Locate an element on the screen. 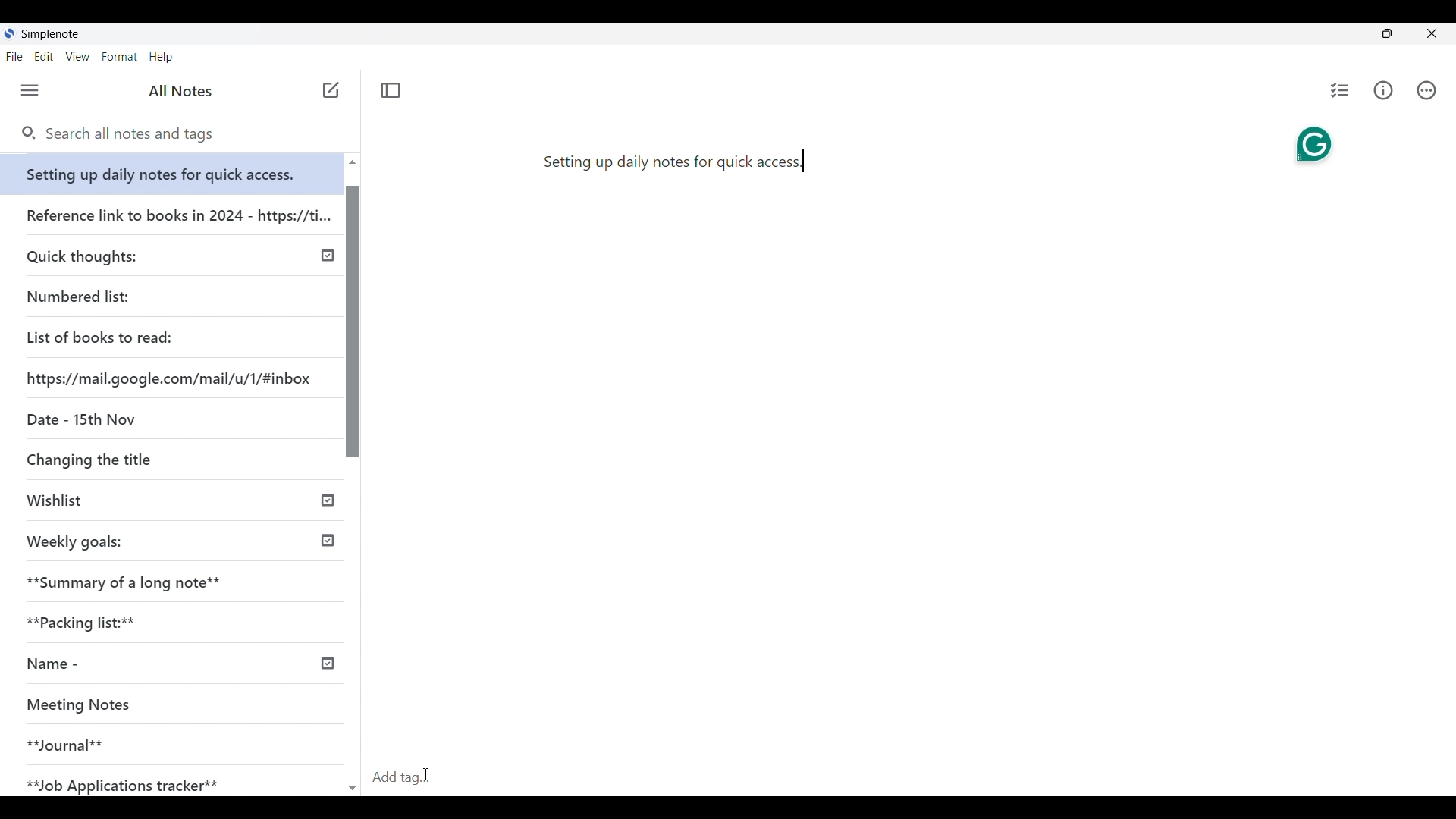 The width and height of the screenshot is (1456, 819). File menu is located at coordinates (14, 57).